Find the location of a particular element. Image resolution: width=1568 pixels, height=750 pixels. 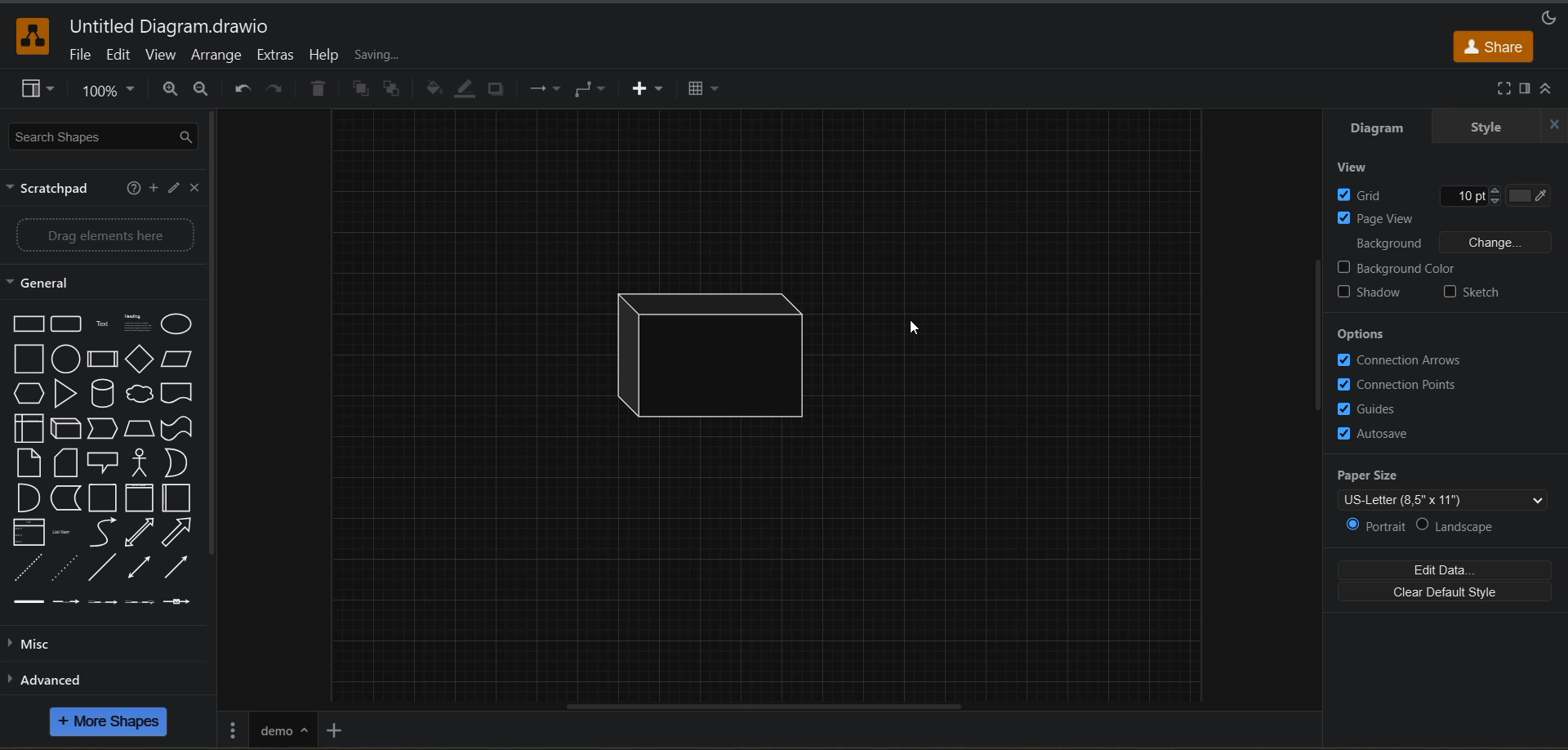

advanced is located at coordinates (49, 679).